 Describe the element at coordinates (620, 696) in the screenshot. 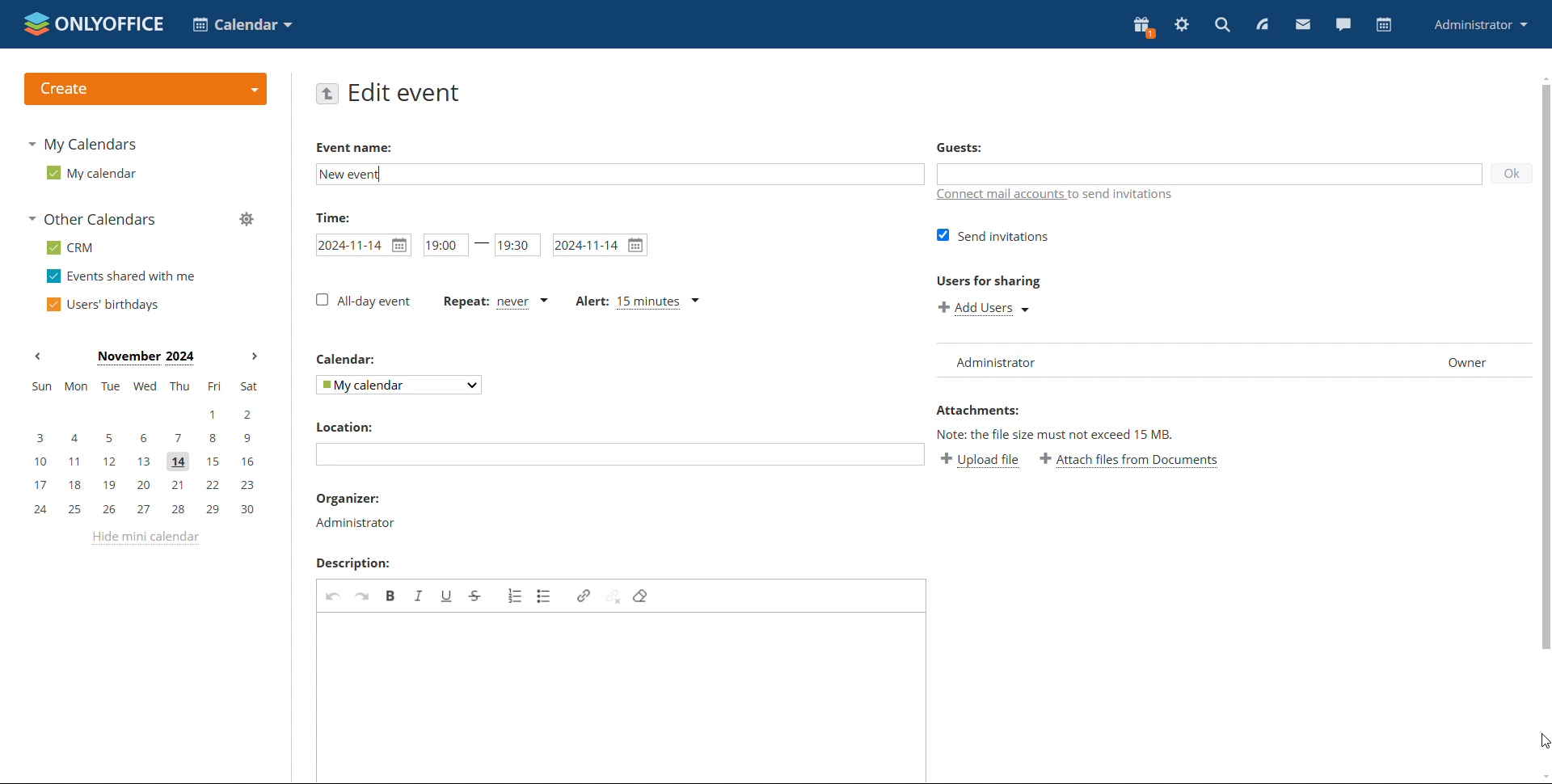

I see `add description` at that location.